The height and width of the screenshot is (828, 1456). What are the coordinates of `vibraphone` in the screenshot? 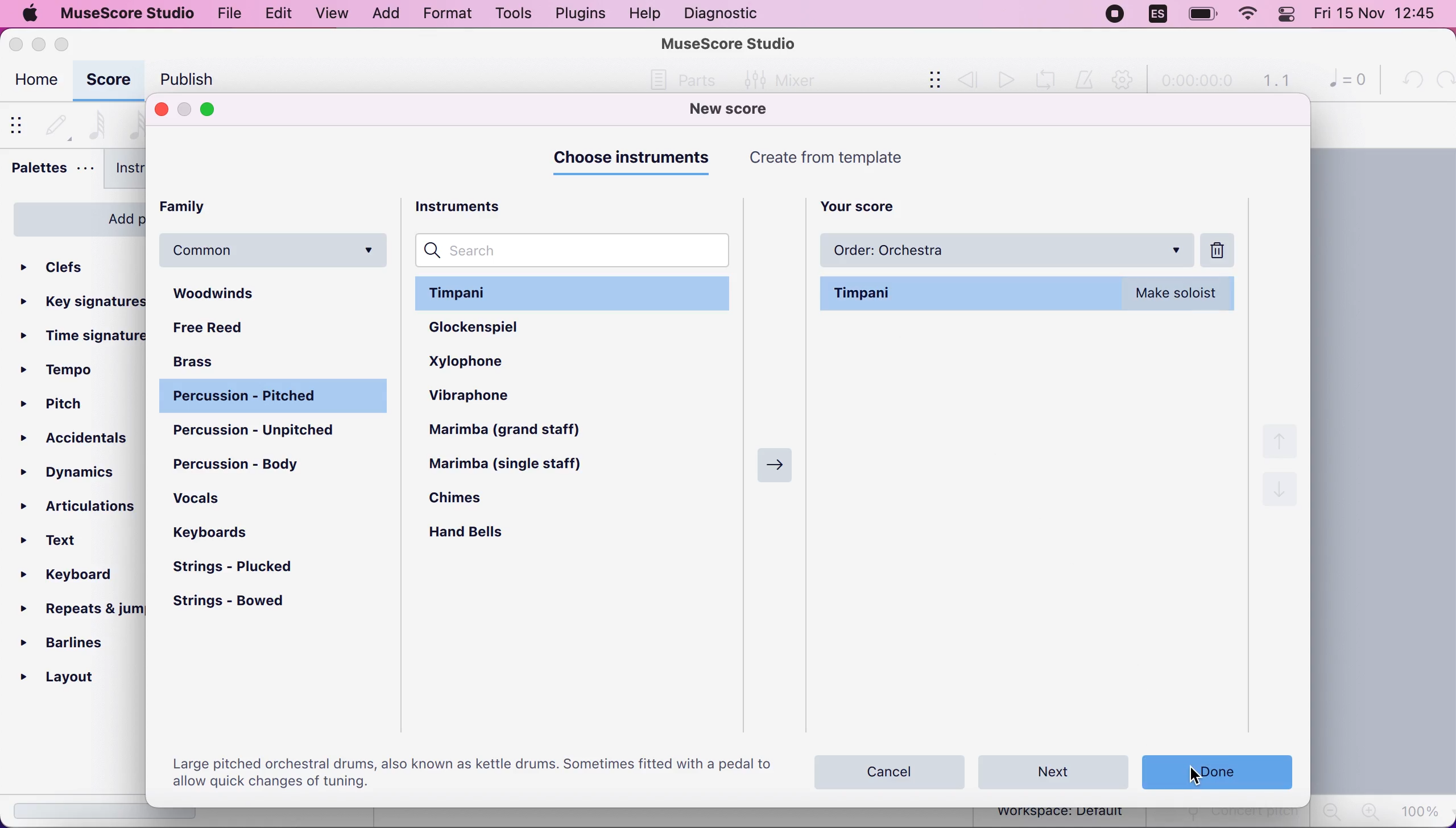 It's located at (490, 398).